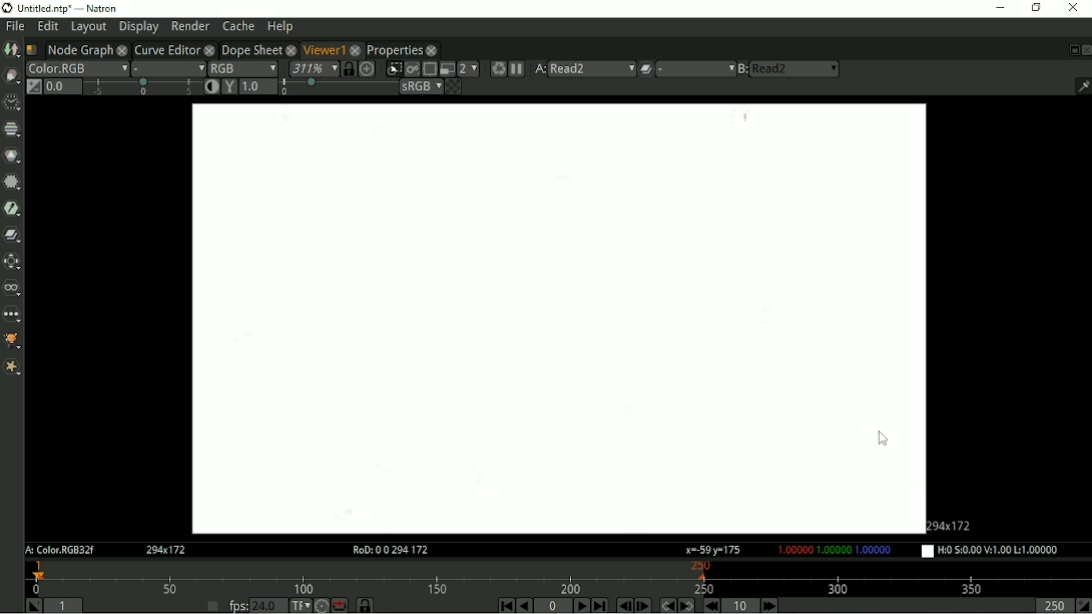 This screenshot has width=1092, height=614. I want to click on Viewer, so click(321, 48).